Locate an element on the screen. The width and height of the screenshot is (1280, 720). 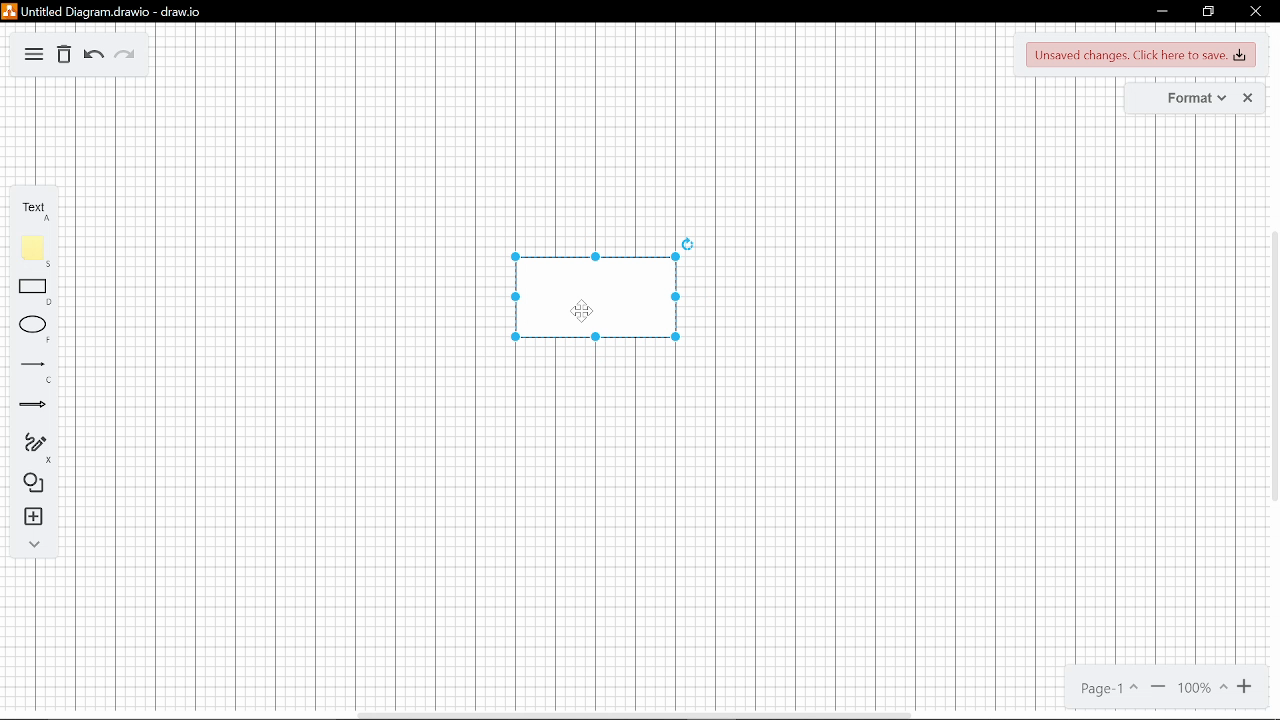
Color is located at coordinates (36, 247).